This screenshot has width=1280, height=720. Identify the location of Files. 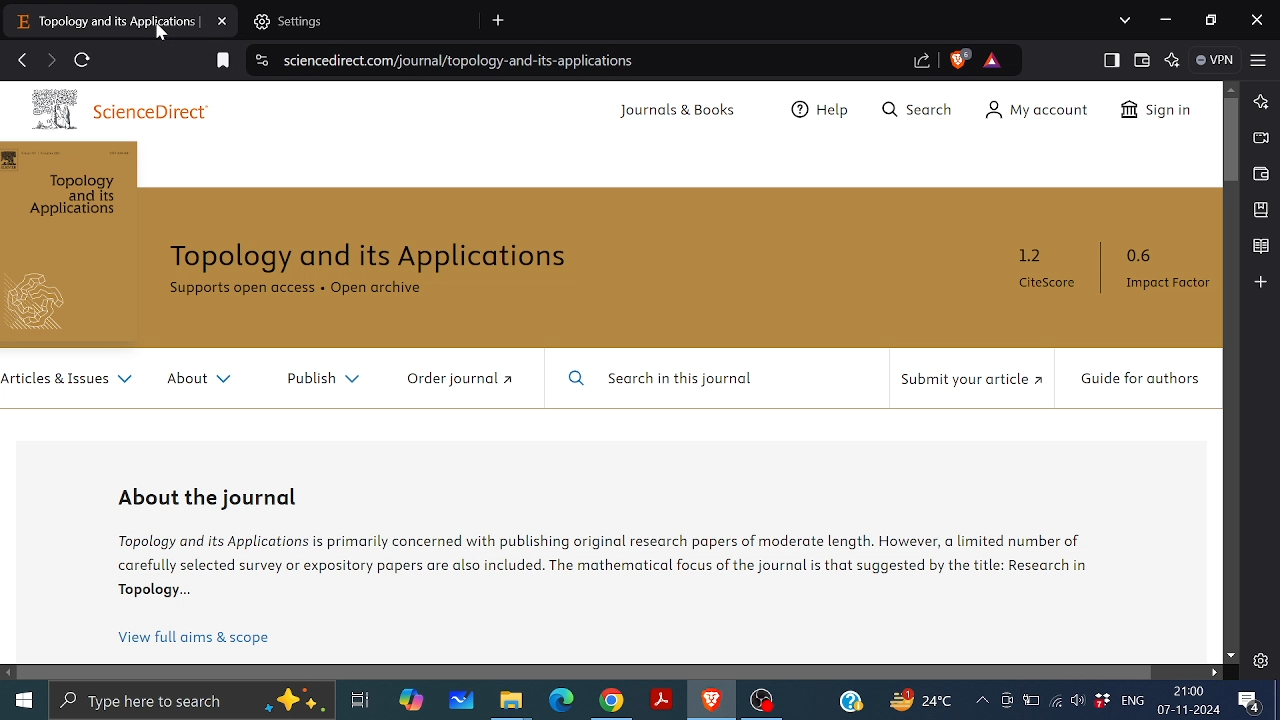
(511, 703).